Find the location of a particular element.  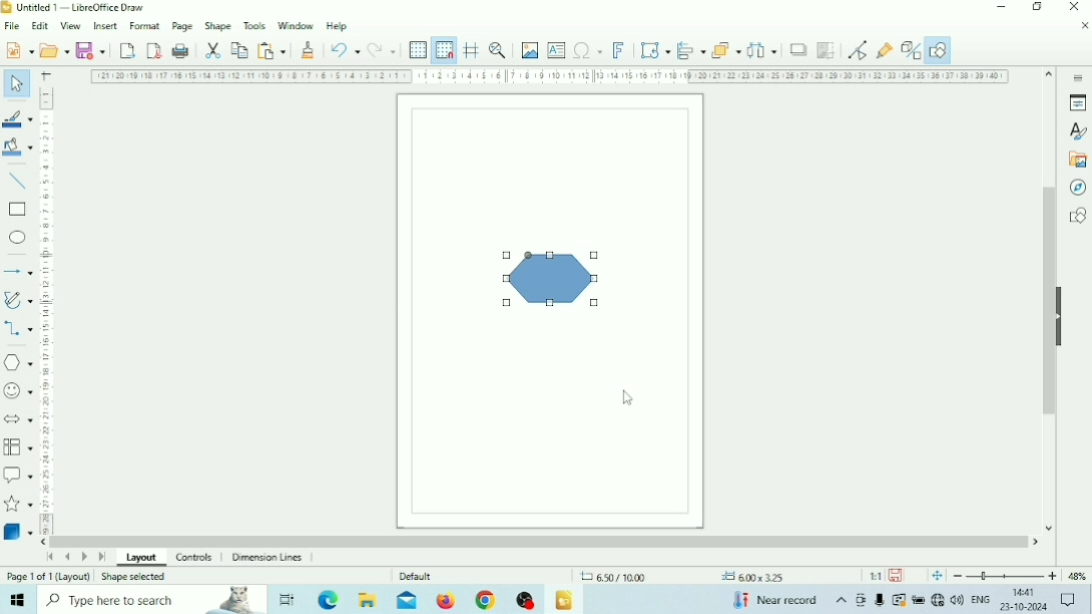

Curves and Polygons is located at coordinates (18, 300).